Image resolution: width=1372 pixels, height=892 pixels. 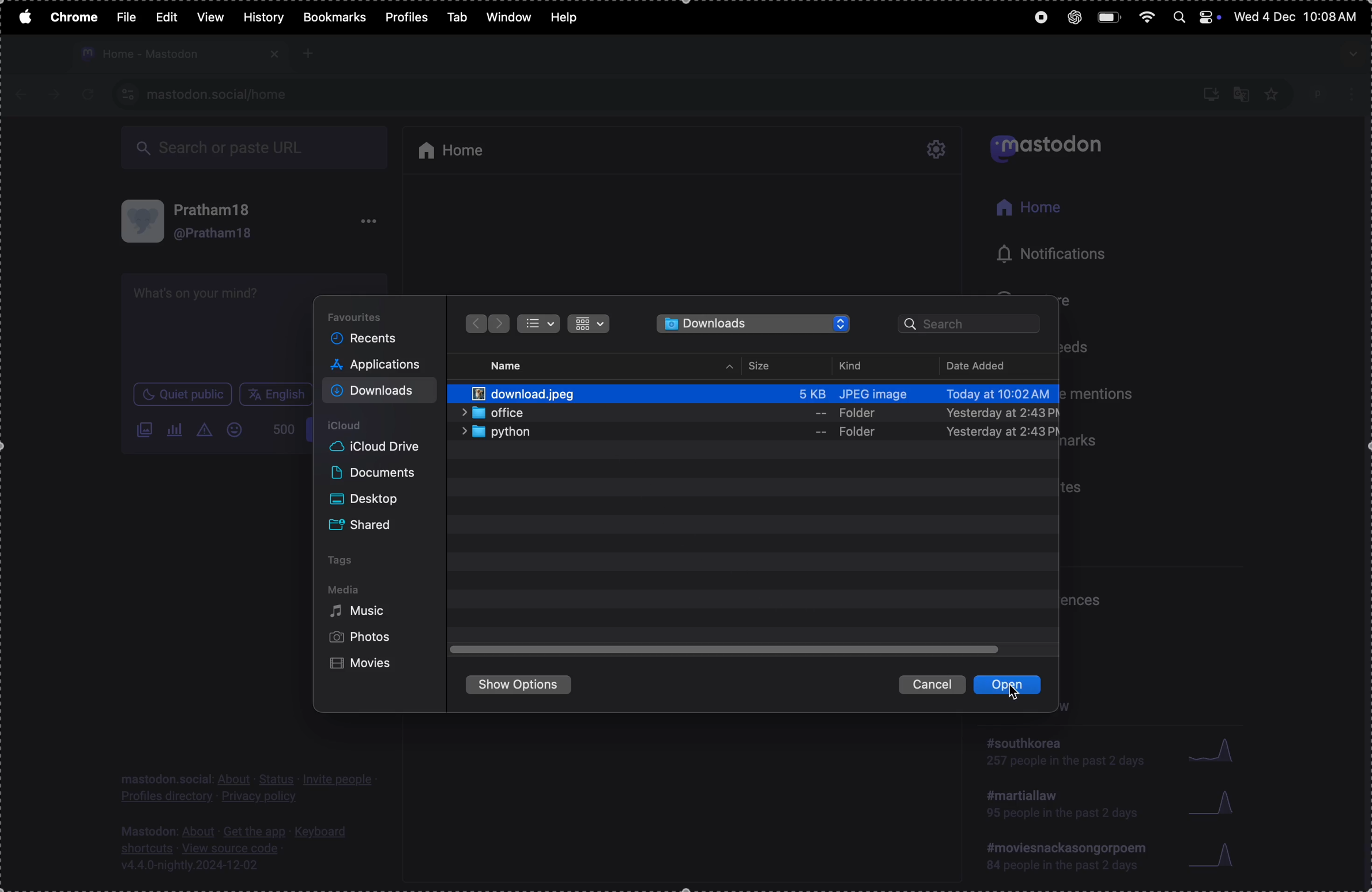 What do you see at coordinates (365, 666) in the screenshot?
I see `movies` at bounding box center [365, 666].